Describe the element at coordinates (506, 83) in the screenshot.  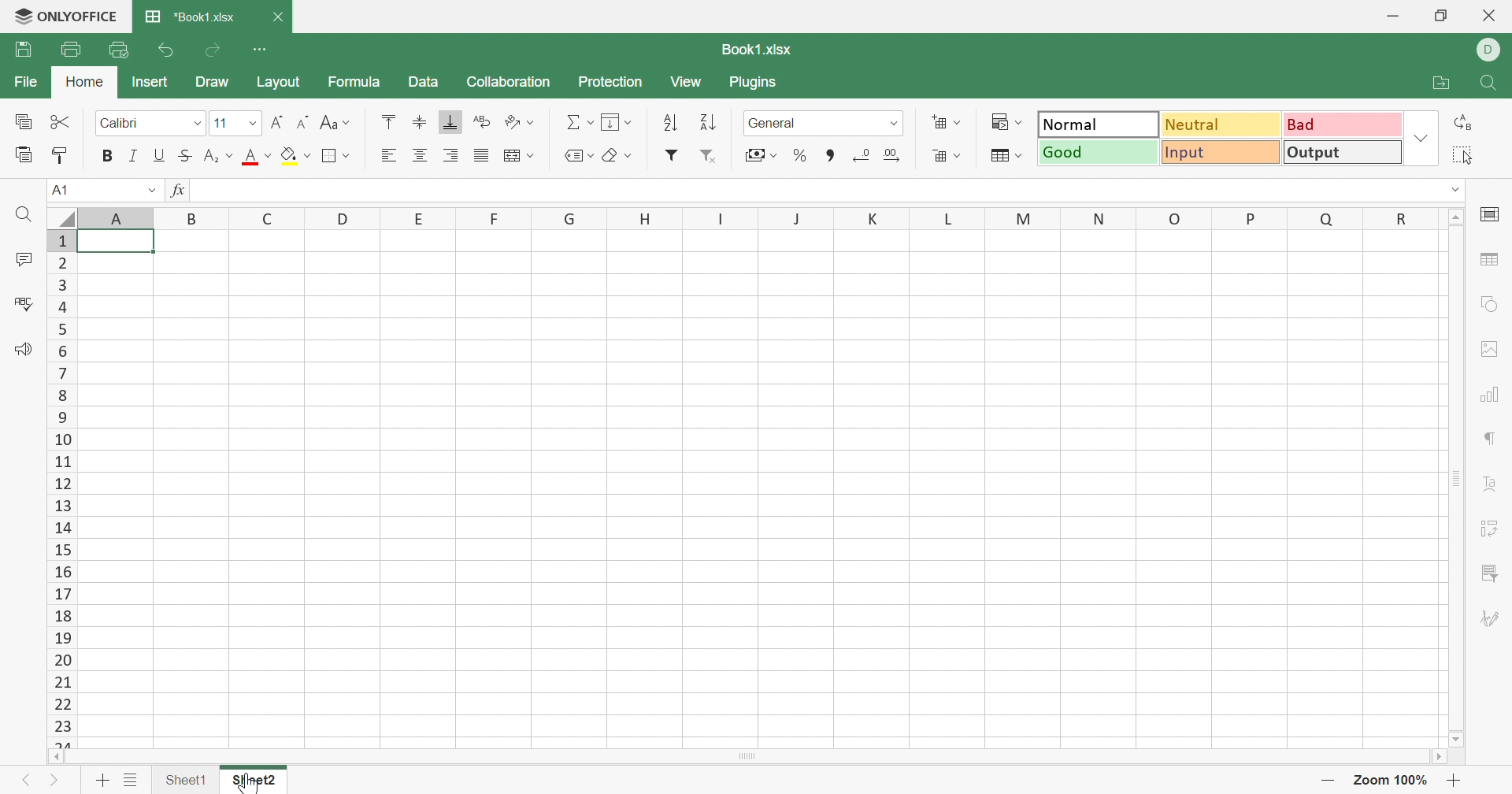
I see `Collaboration` at that location.